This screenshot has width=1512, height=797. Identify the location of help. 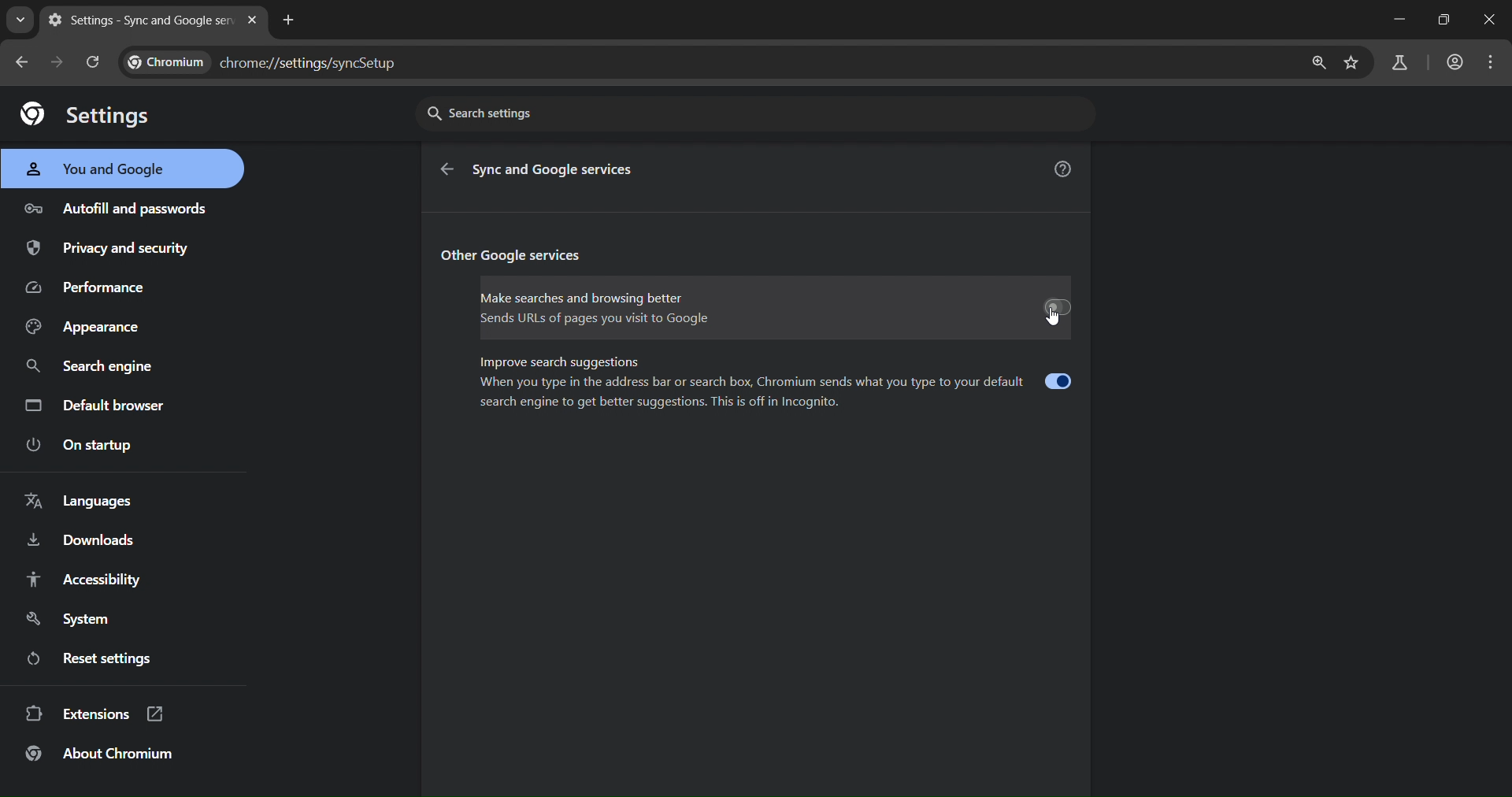
(1062, 170).